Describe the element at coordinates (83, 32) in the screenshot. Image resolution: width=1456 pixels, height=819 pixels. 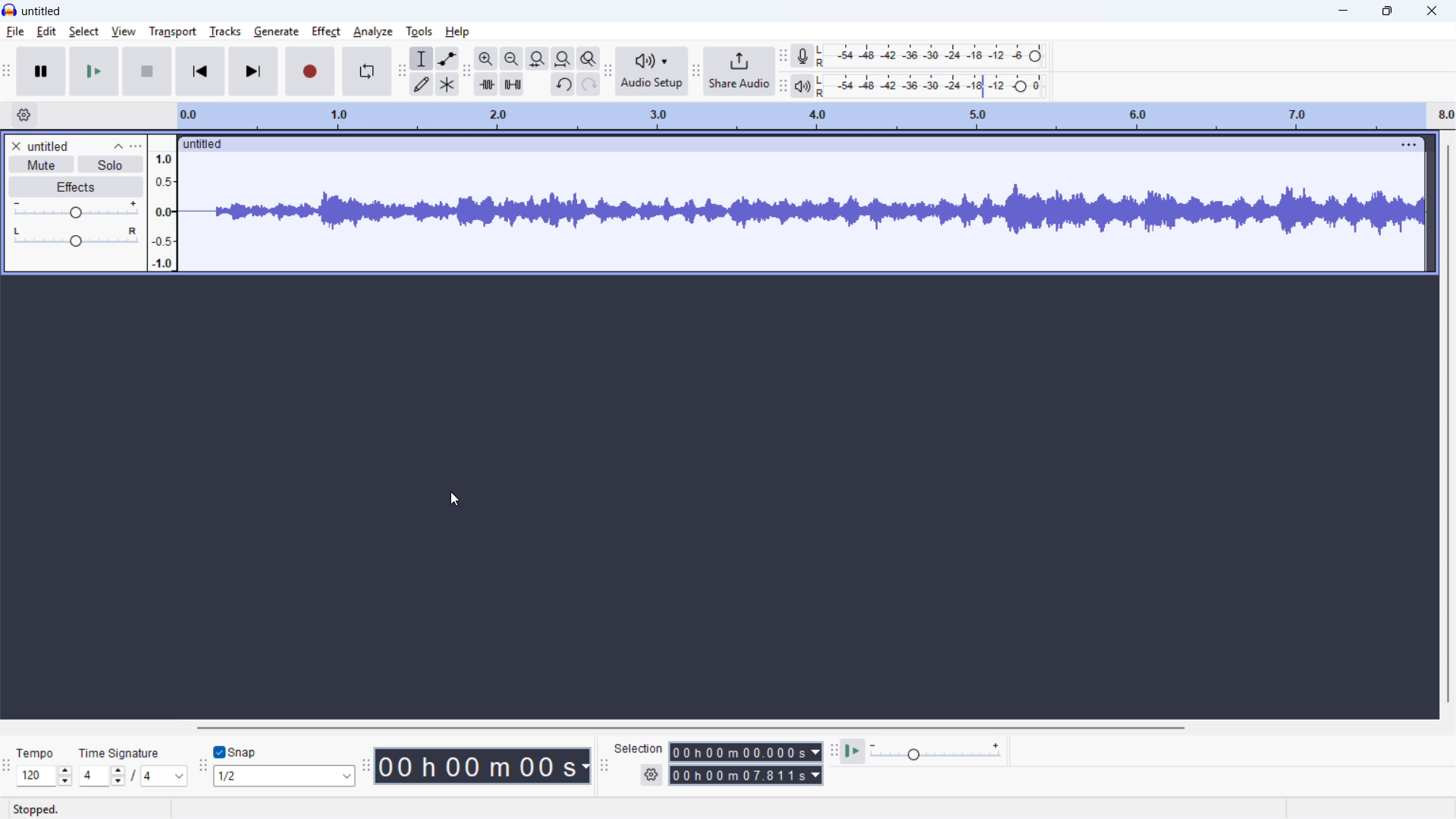
I see `select` at that location.